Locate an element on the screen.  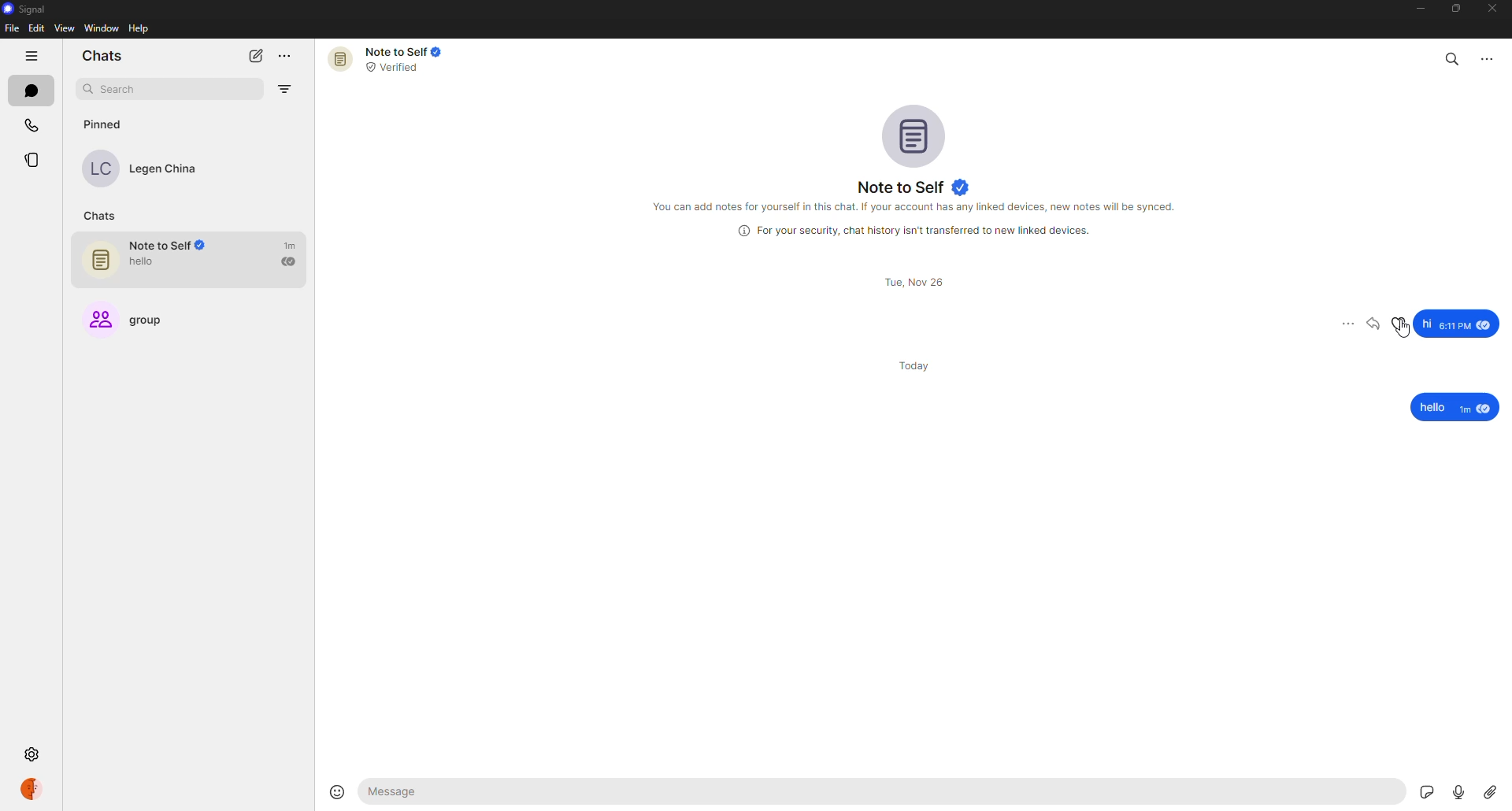
minimize is located at coordinates (1415, 8).